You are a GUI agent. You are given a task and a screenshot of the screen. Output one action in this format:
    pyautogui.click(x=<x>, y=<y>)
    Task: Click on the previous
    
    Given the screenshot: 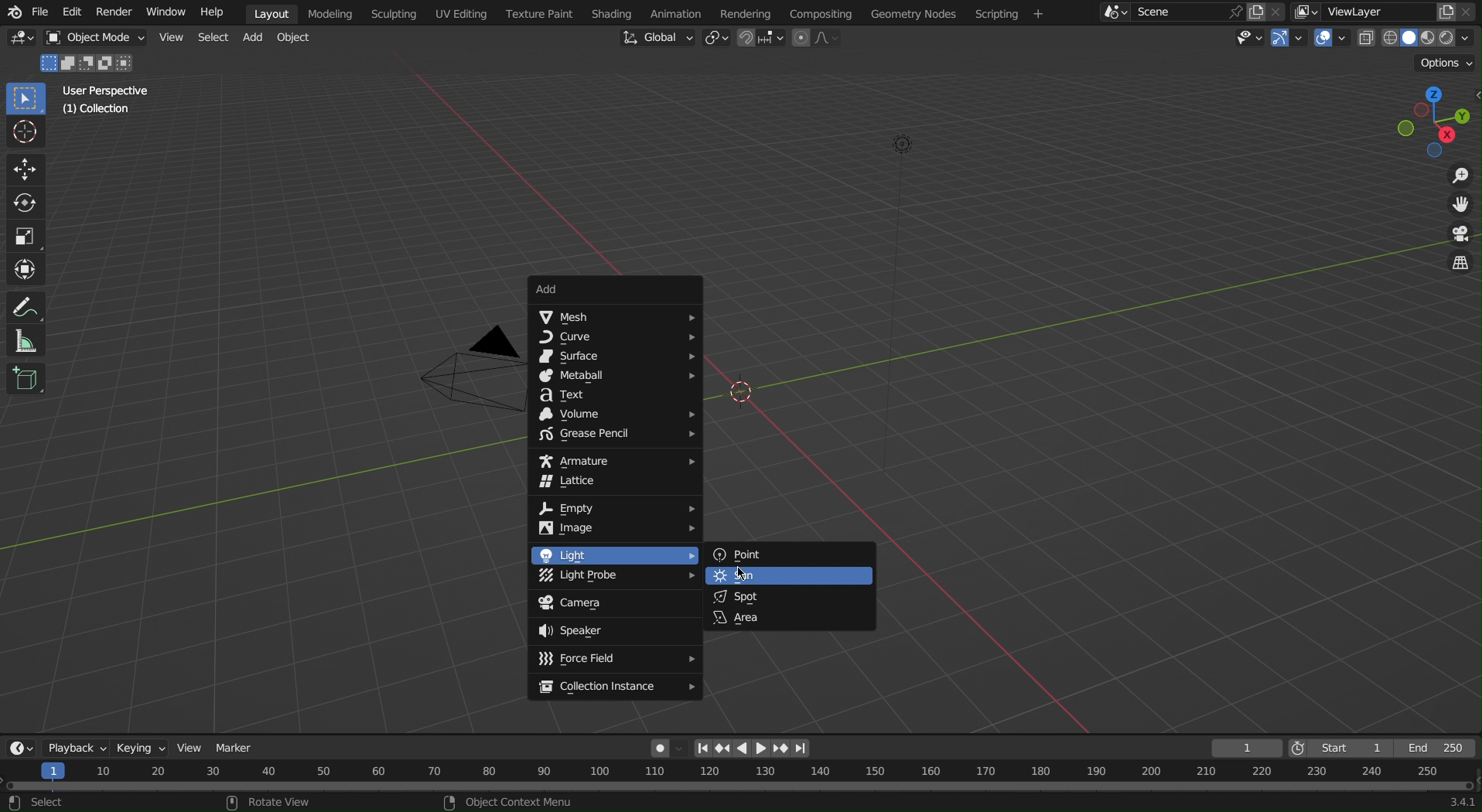 What is the action you would take?
    pyautogui.click(x=702, y=749)
    